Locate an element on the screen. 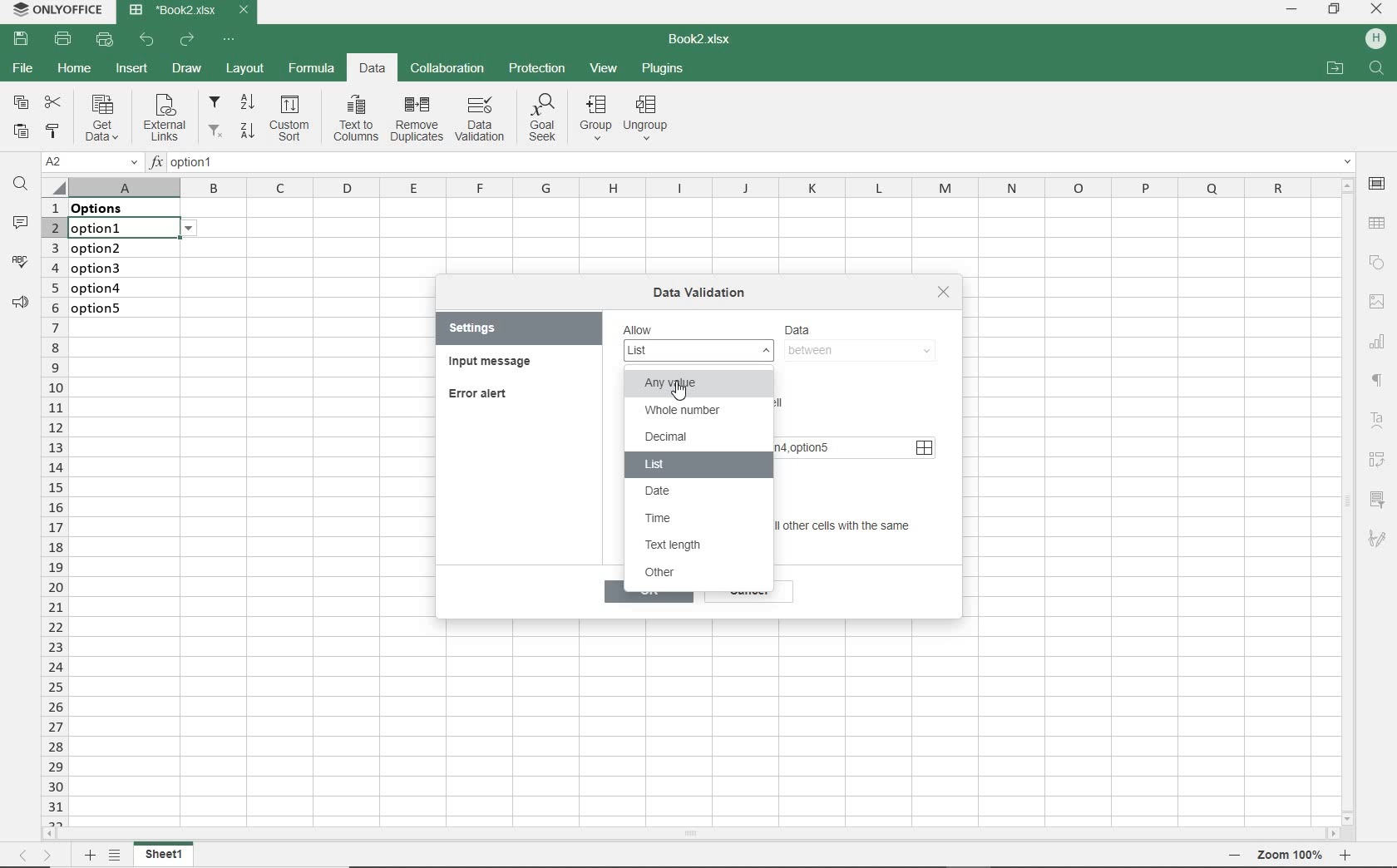 This screenshot has width=1397, height=868. Zoom out is located at coordinates (1230, 856).